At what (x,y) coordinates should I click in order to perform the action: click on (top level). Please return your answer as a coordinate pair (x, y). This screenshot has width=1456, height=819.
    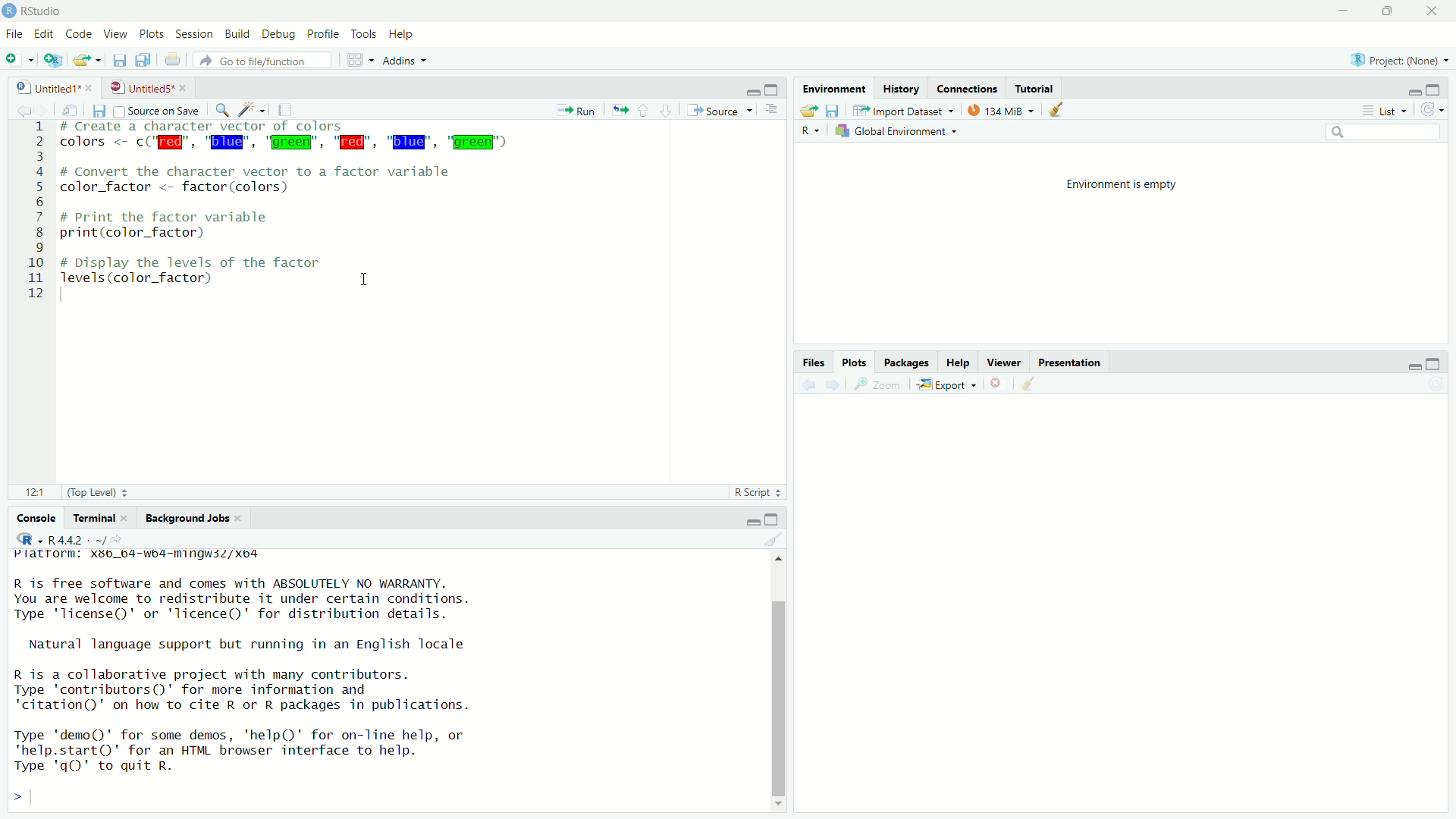
    Looking at the image, I should click on (104, 492).